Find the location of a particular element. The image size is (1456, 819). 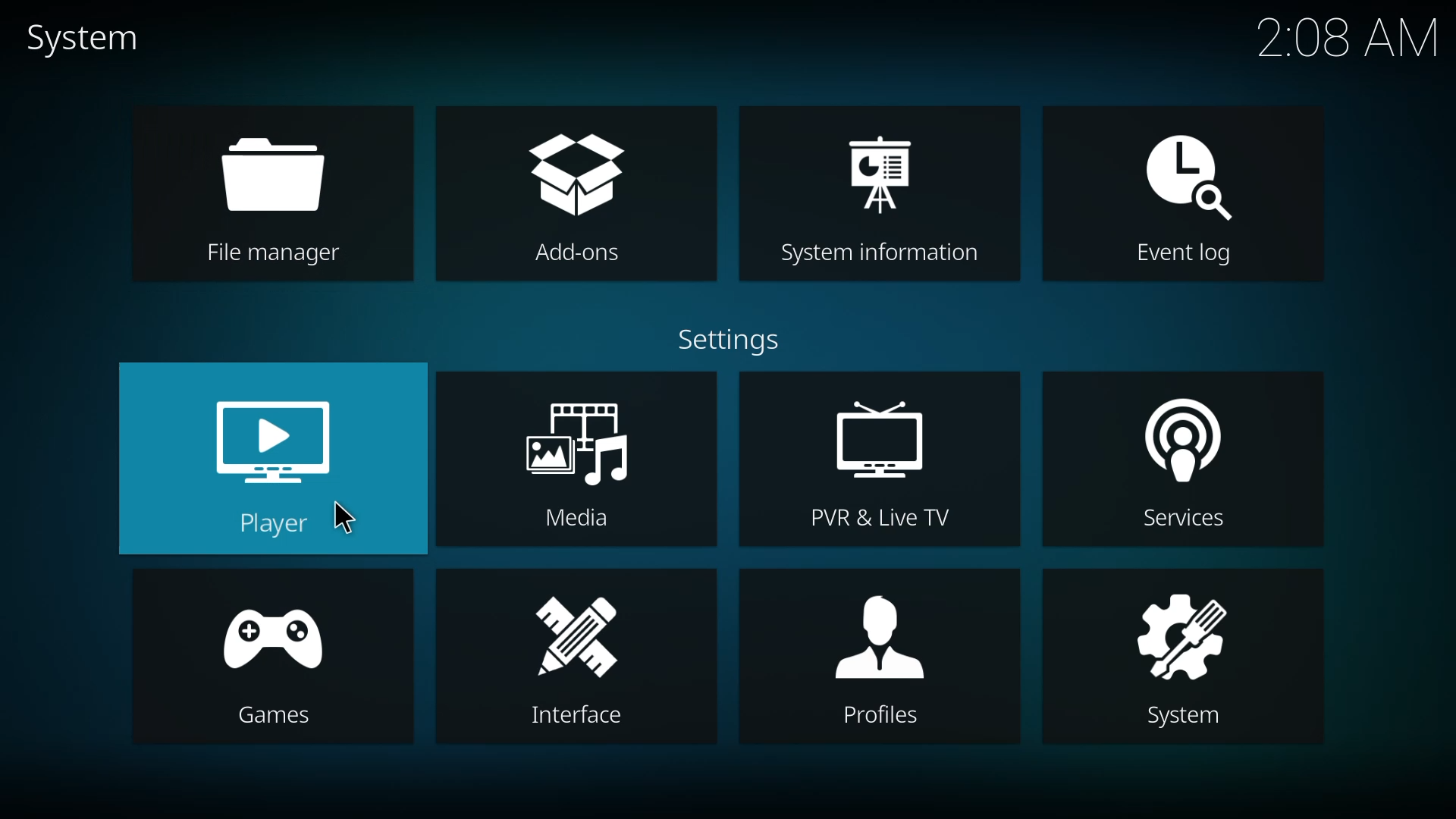

event log is located at coordinates (1184, 195).